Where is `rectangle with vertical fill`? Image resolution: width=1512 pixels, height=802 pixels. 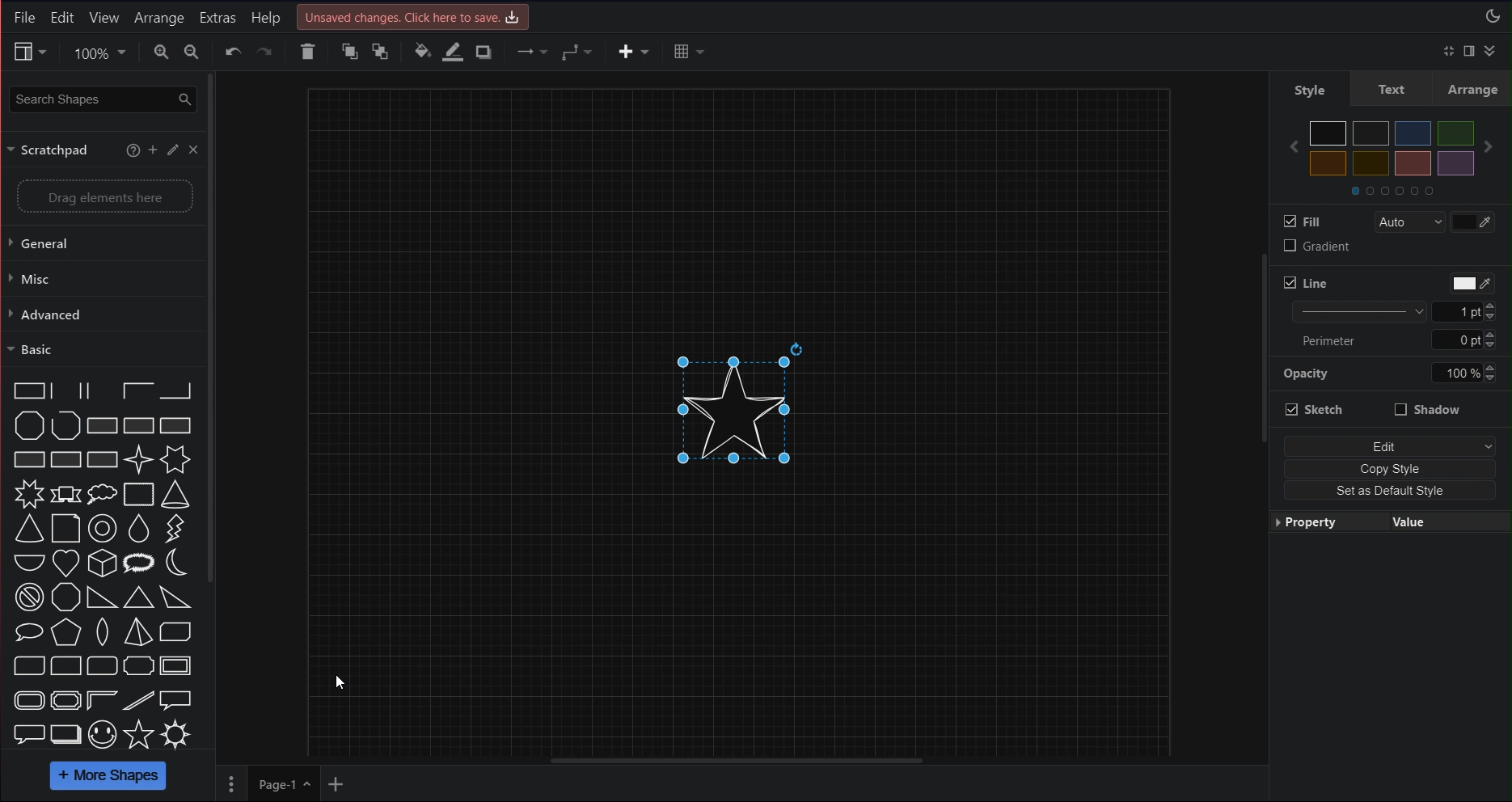 rectangle with vertical fill is located at coordinates (177, 425).